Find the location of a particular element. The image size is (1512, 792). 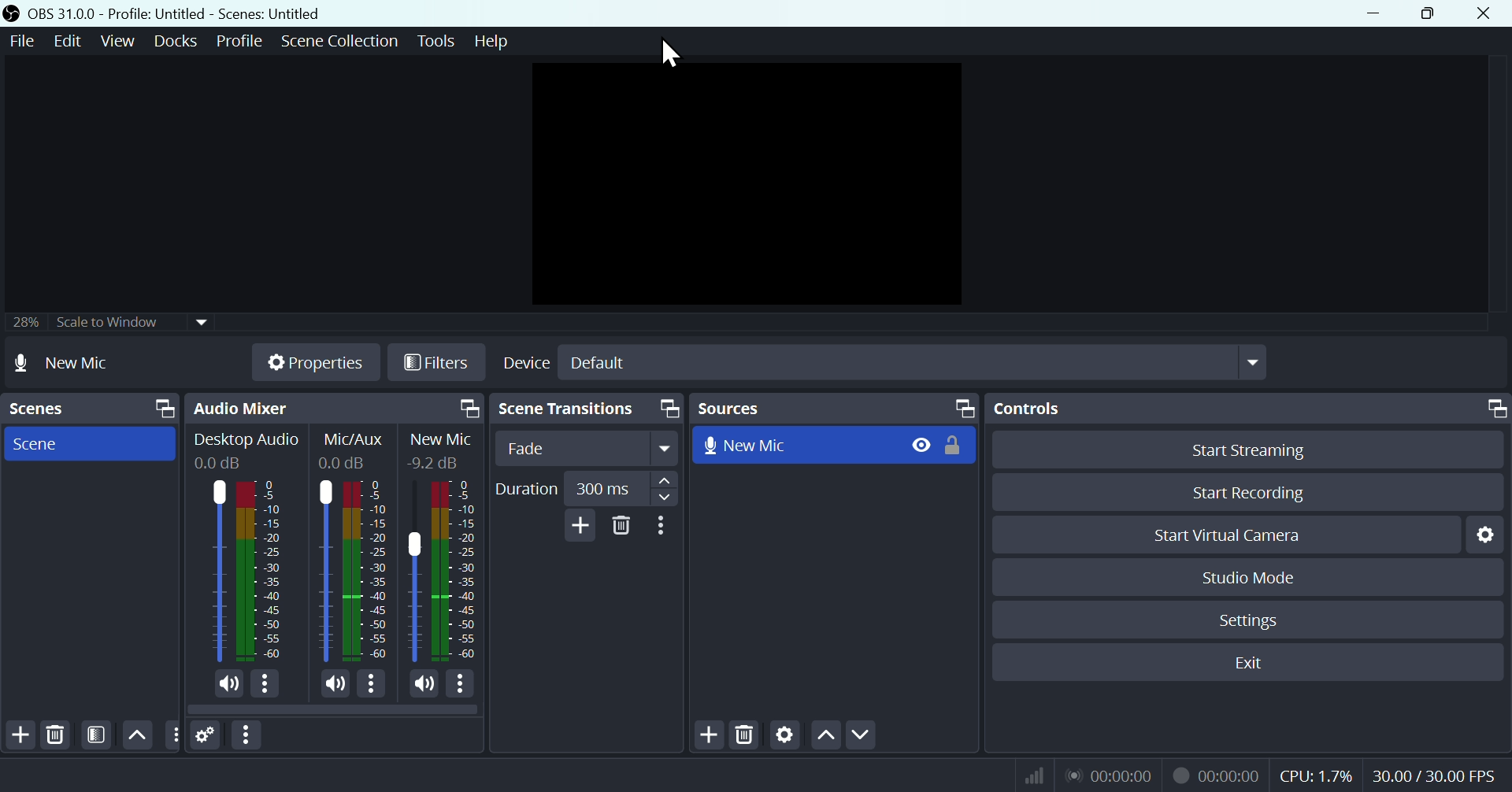

New Mic is located at coordinates (795, 443).